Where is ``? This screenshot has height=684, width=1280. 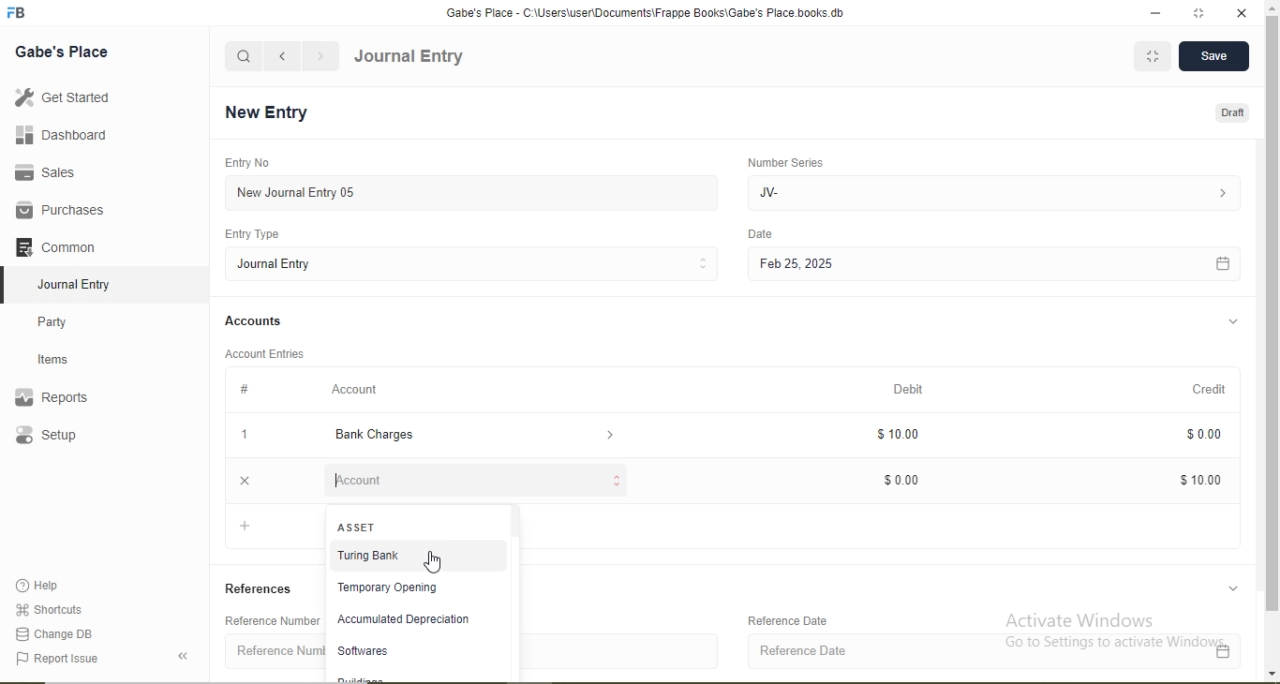  is located at coordinates (516, 591).